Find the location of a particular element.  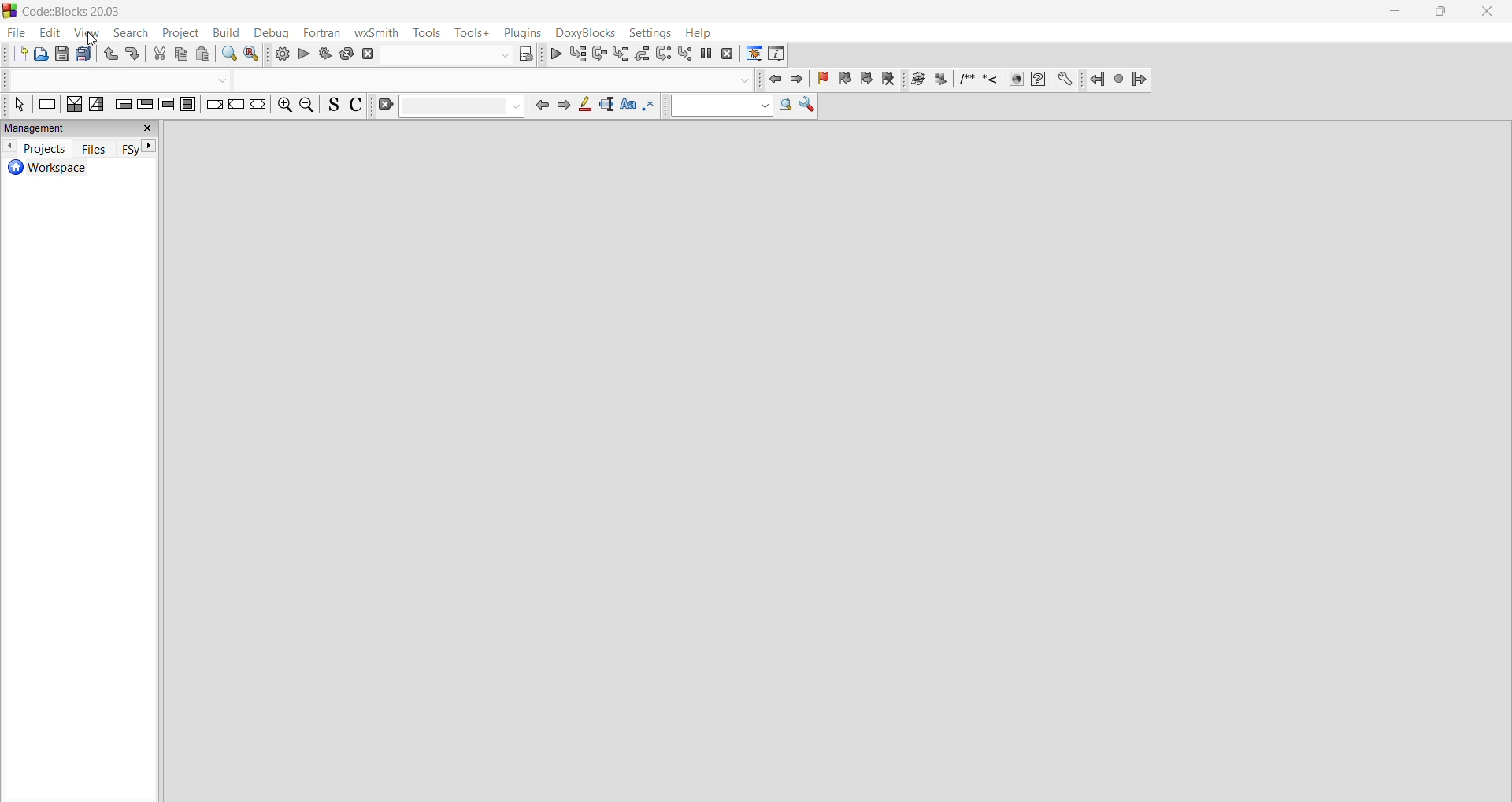

extract is located at coordinates (941, 79).